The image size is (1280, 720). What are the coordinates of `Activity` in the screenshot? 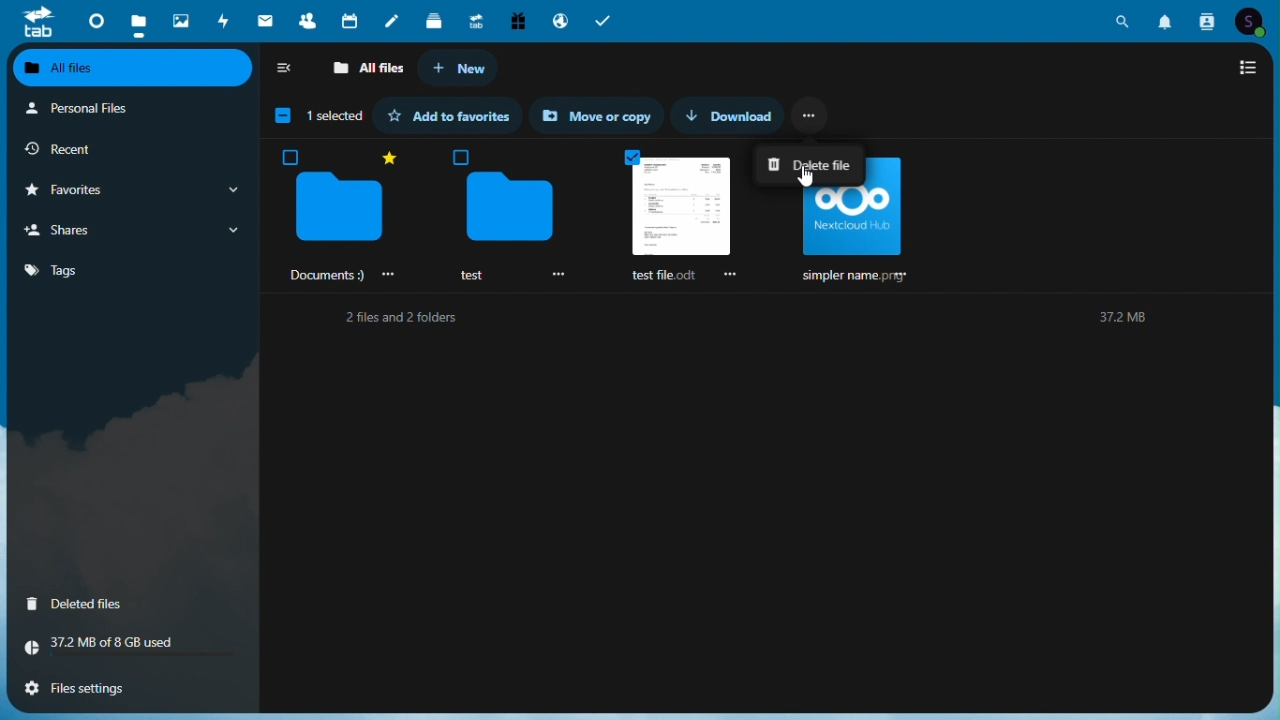 It's located at (227, 21).